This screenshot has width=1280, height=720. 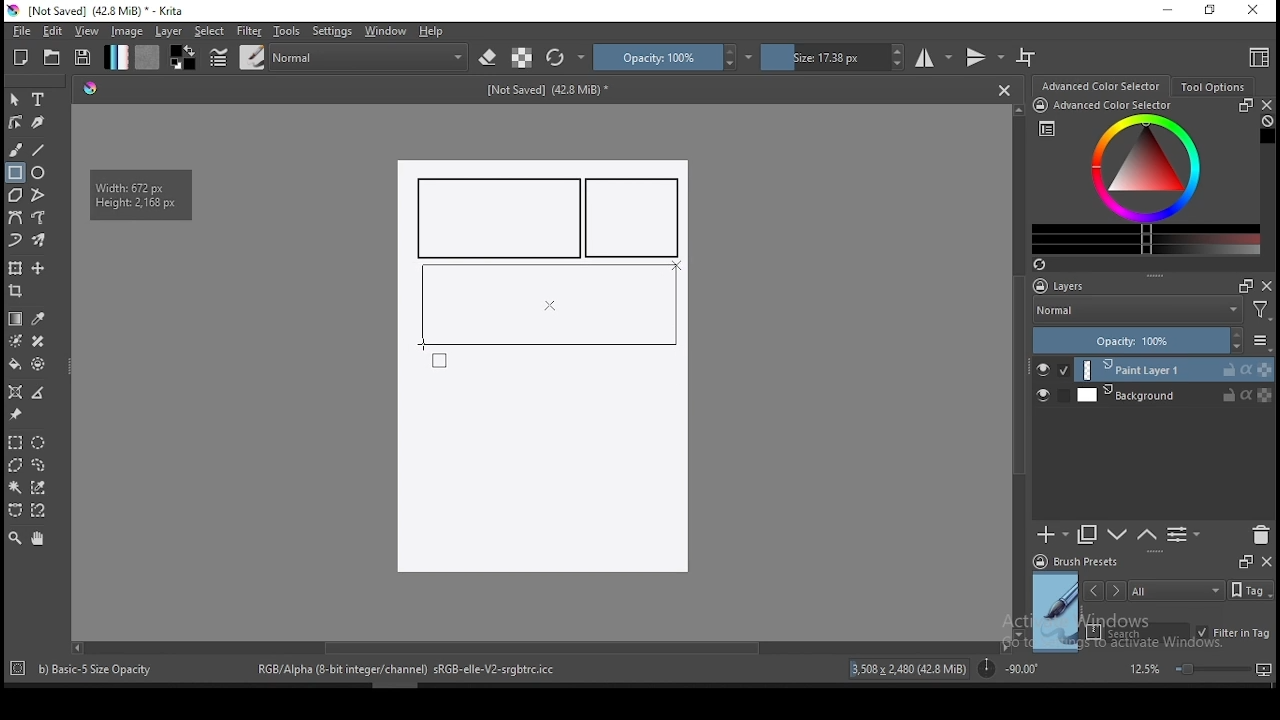 I want to click on set eraser mode, so click(x=490, y=58).